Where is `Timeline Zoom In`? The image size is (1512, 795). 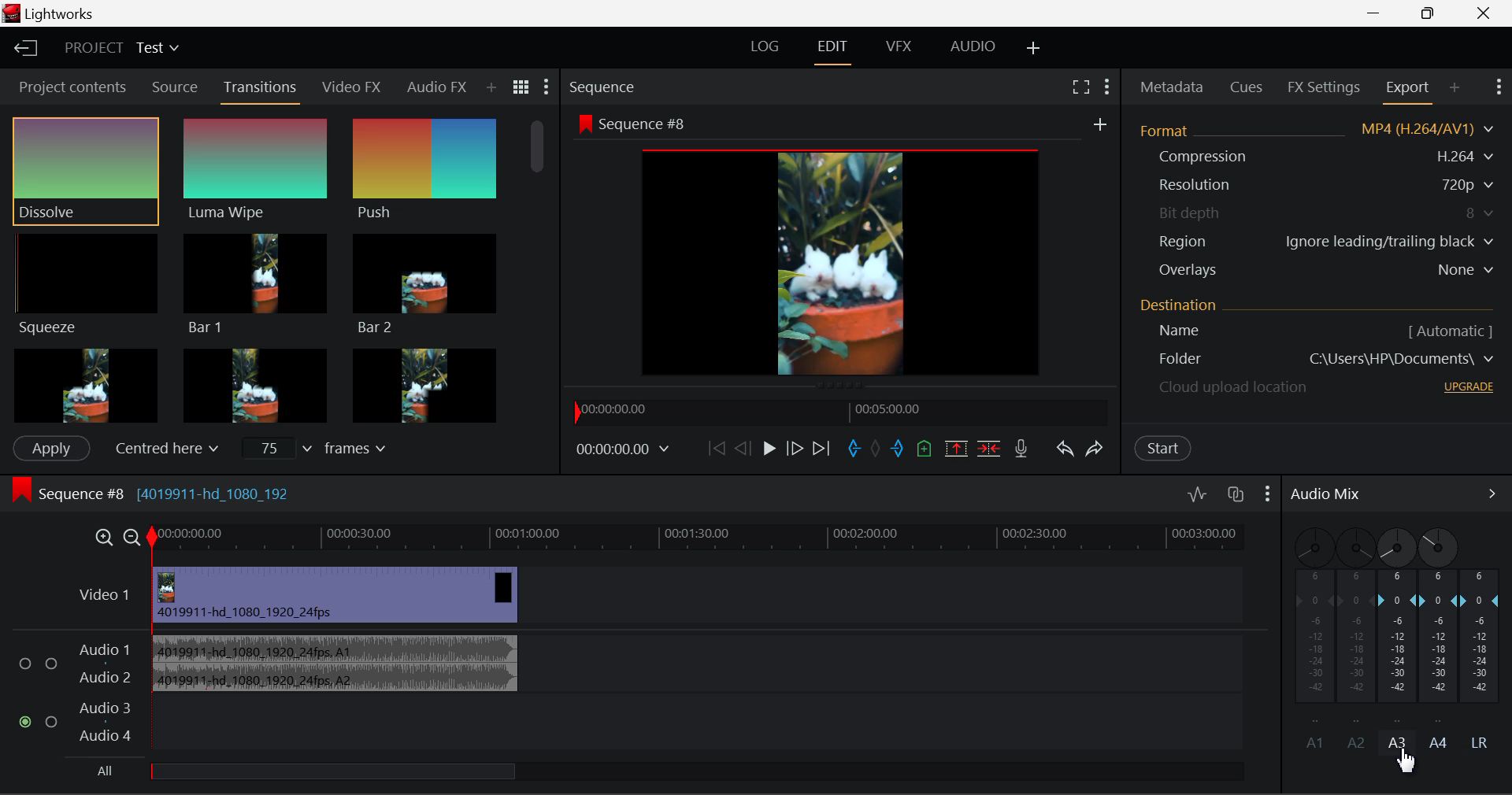 Timeline Zoom In is located at coordinates (103, 538).